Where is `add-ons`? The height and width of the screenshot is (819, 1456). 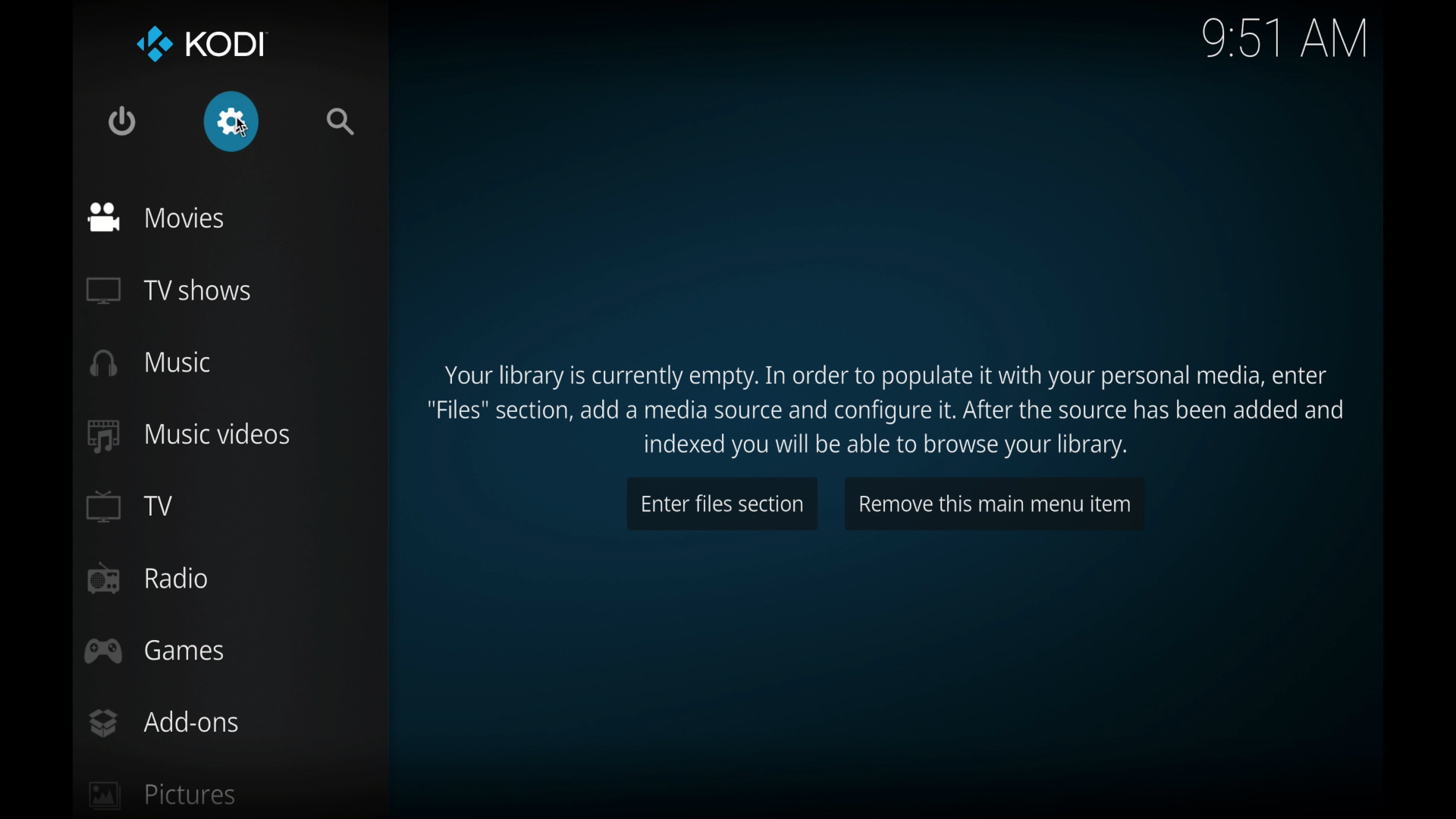 add-ons is located at coordinates (165, 723).